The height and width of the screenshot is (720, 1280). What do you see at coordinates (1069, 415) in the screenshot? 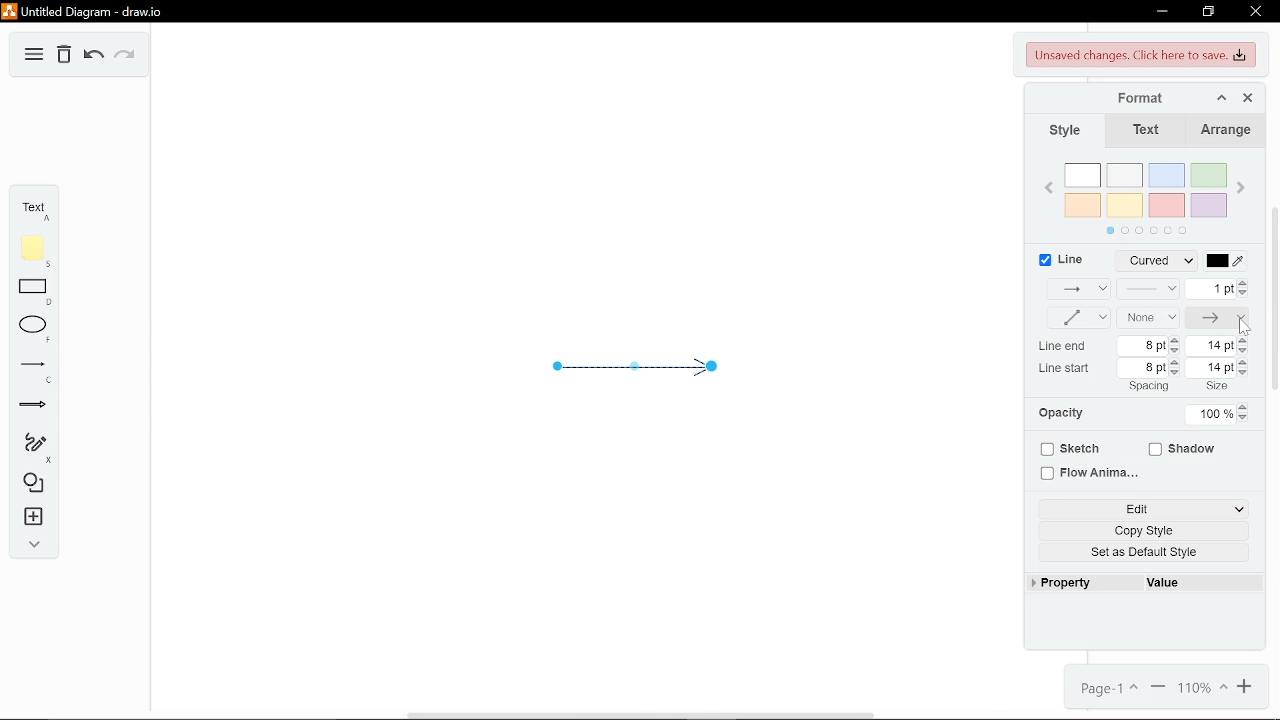
I see `Opacity` at bounding box center [1069, 415].